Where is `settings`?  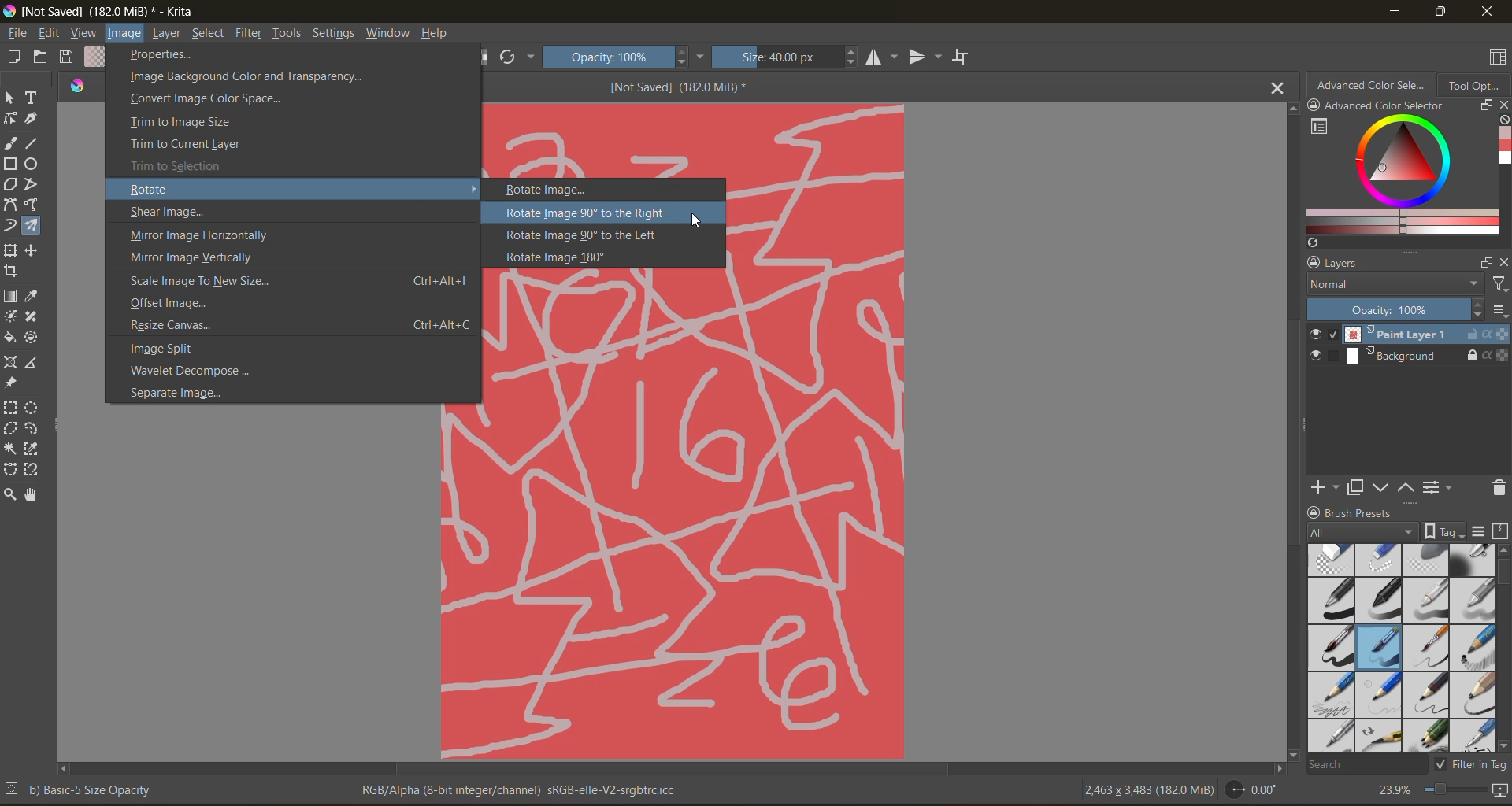
settings is located at coordinates (334, 33).